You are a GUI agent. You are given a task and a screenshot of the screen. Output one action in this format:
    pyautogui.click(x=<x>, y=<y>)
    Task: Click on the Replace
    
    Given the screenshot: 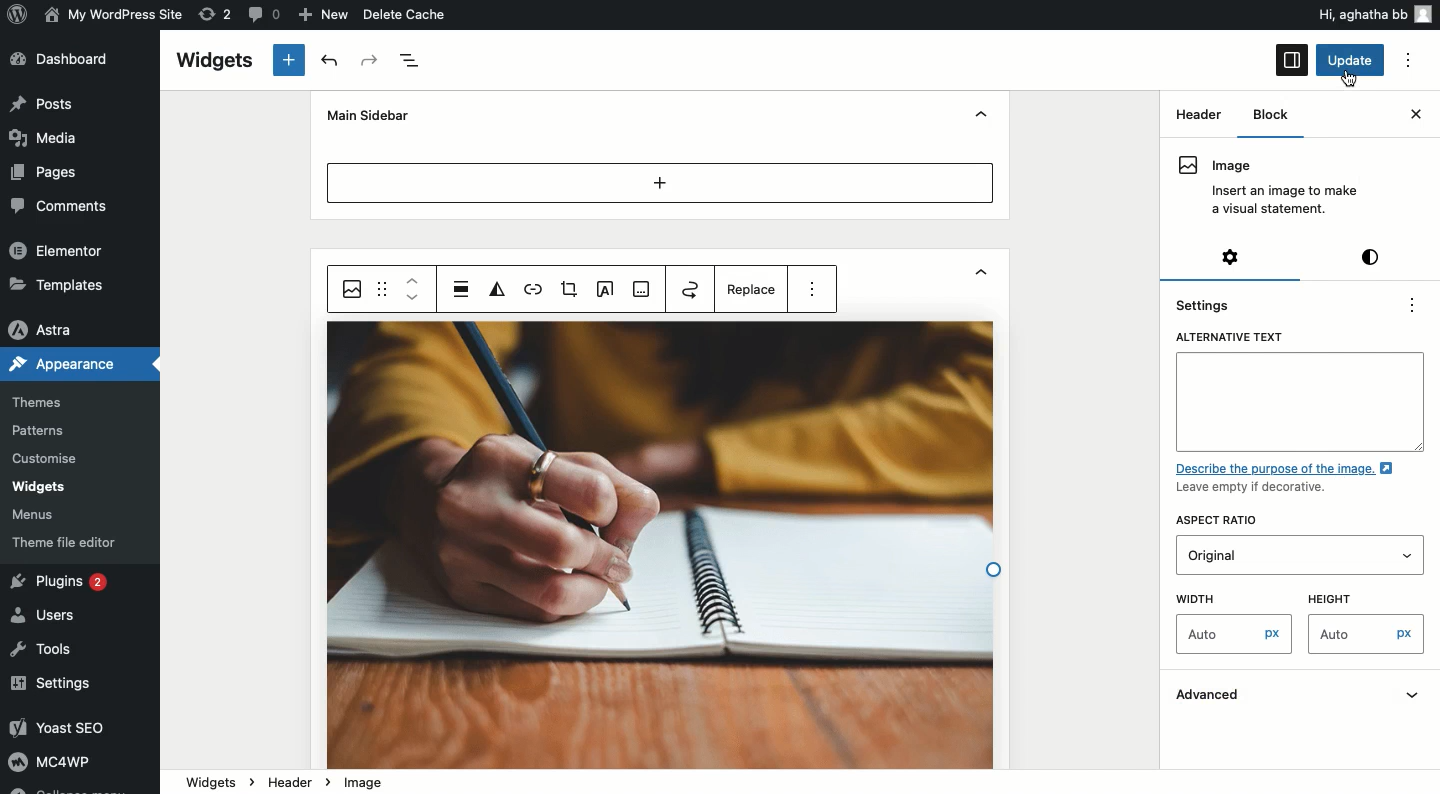 What is the action you would take?
    pyautogui.click(x=754, y=293)
    